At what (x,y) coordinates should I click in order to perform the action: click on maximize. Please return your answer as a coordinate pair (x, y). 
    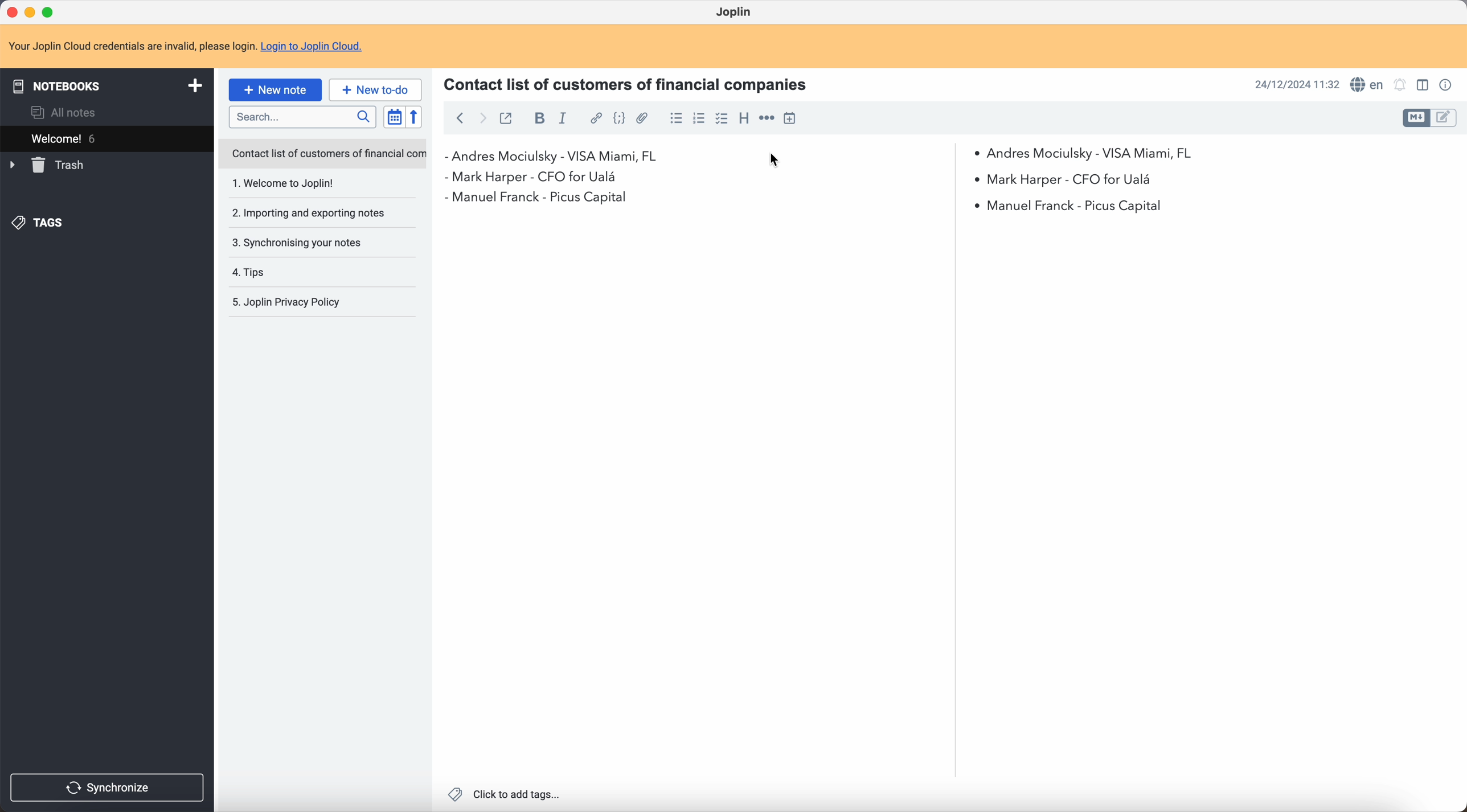
    Looking at the image, I should click on (51, 10).